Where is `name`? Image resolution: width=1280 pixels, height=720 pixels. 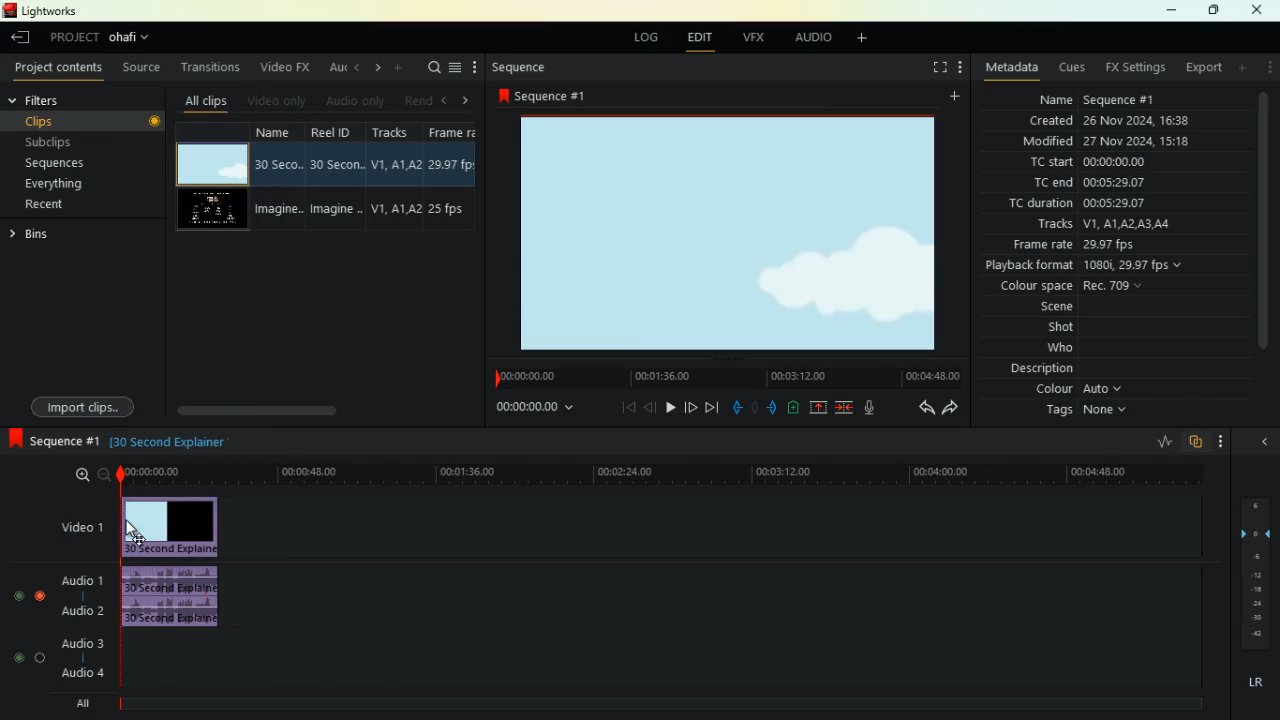
name is located at coordinates (1092, 99).